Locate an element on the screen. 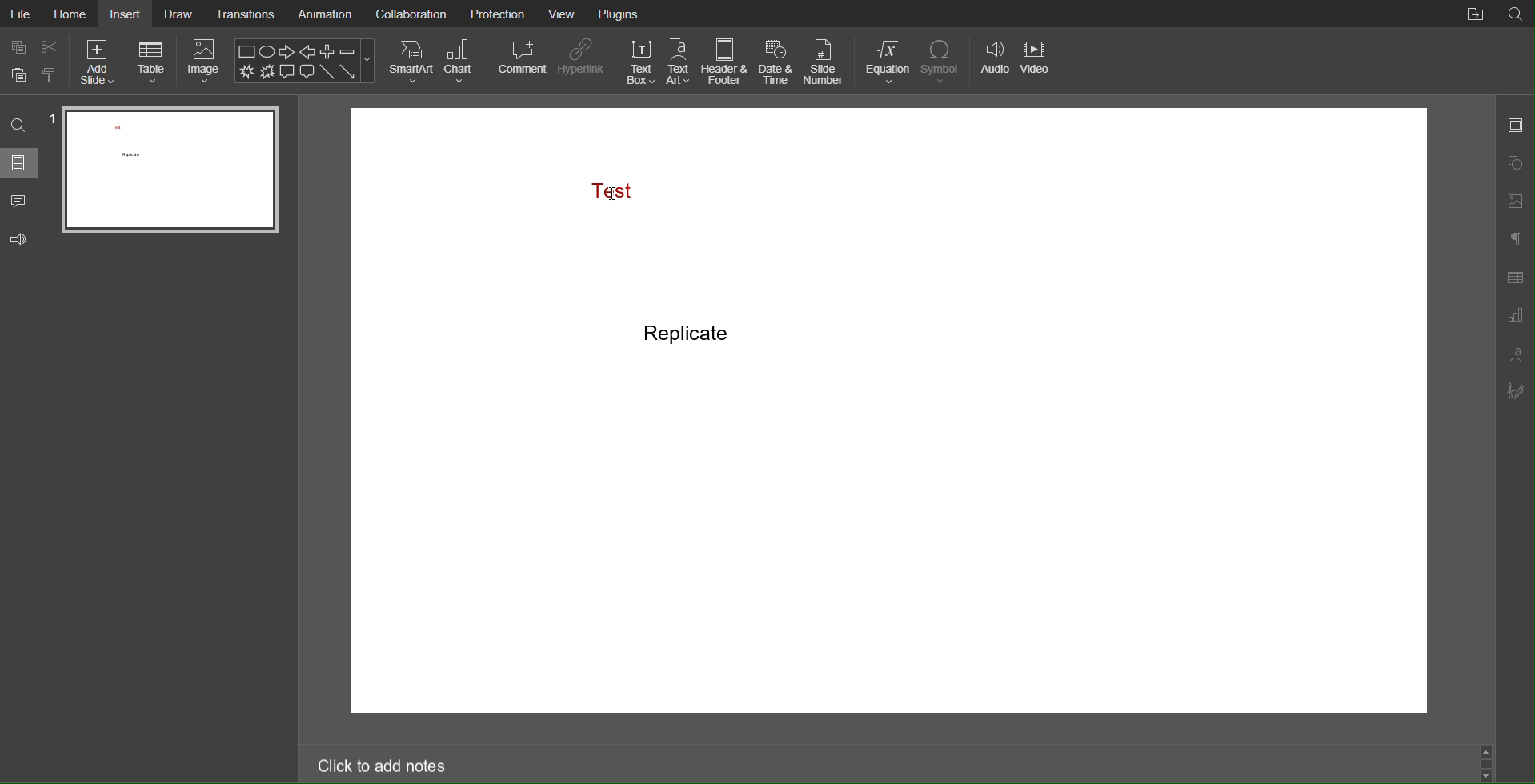 This screenshot has width=1535, height=784. Text Box is located at coordinates (639, 62).